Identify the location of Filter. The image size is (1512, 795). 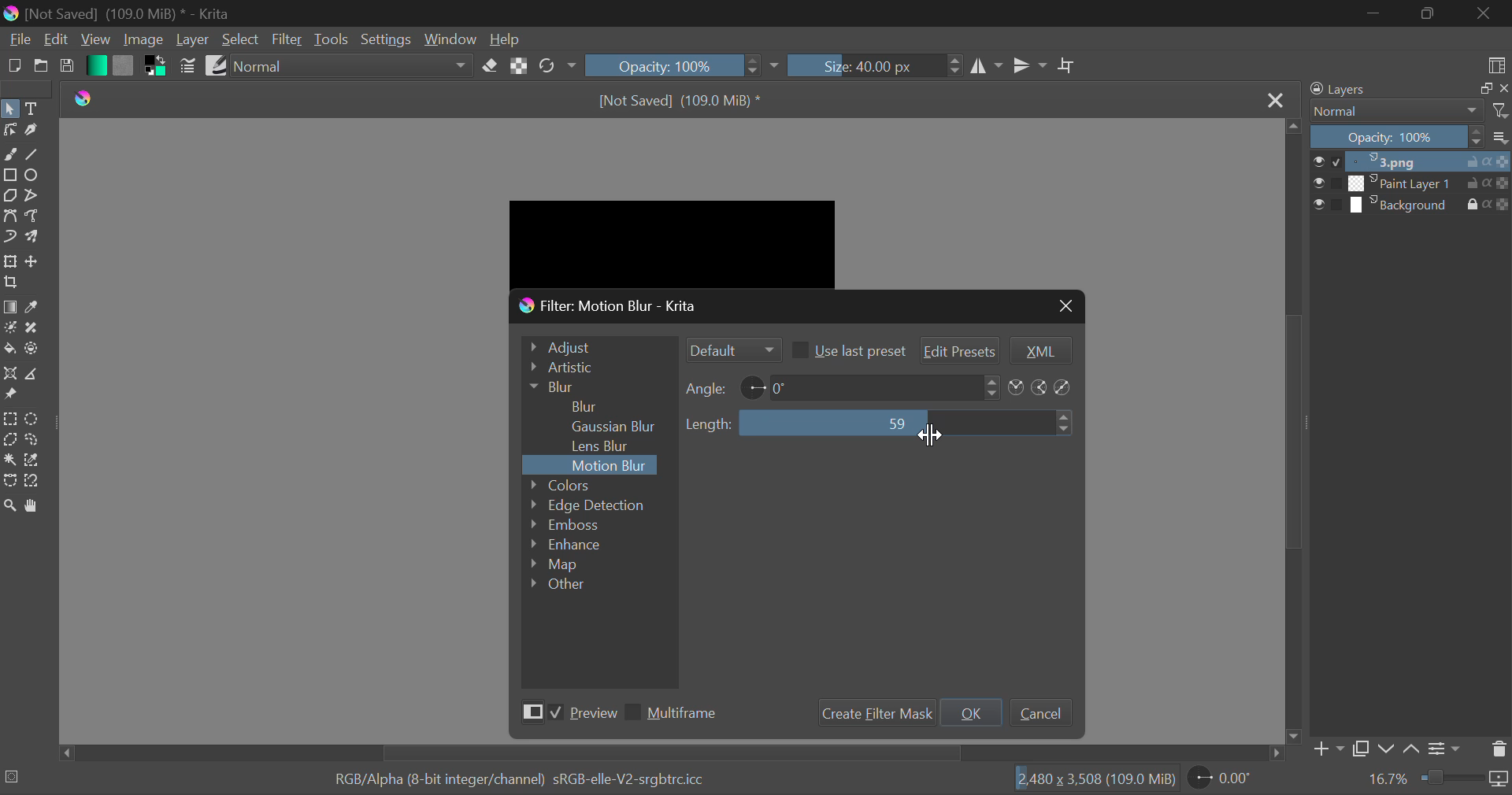
(287, 40).